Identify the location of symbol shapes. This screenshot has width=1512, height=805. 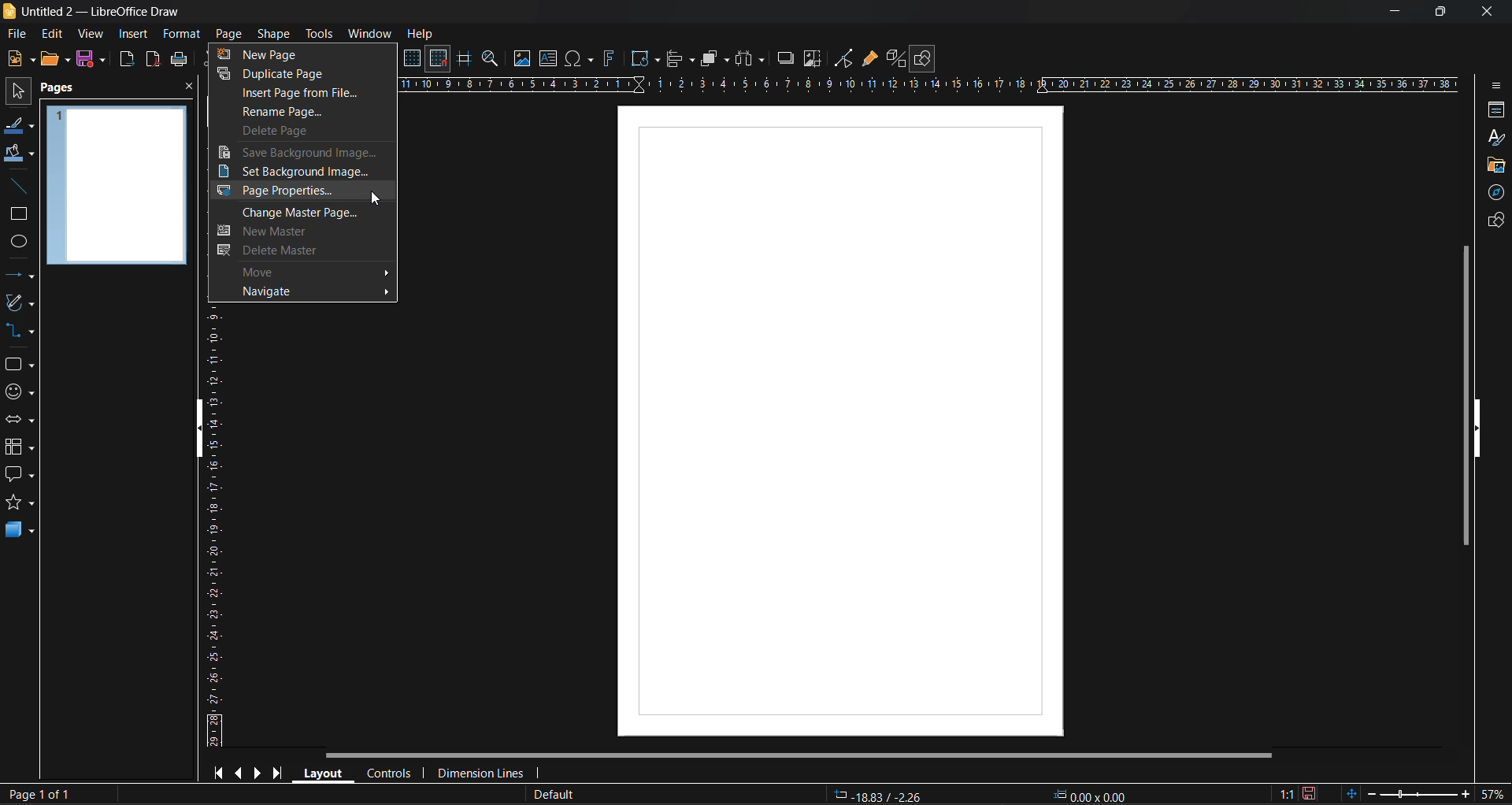
(19, 392).